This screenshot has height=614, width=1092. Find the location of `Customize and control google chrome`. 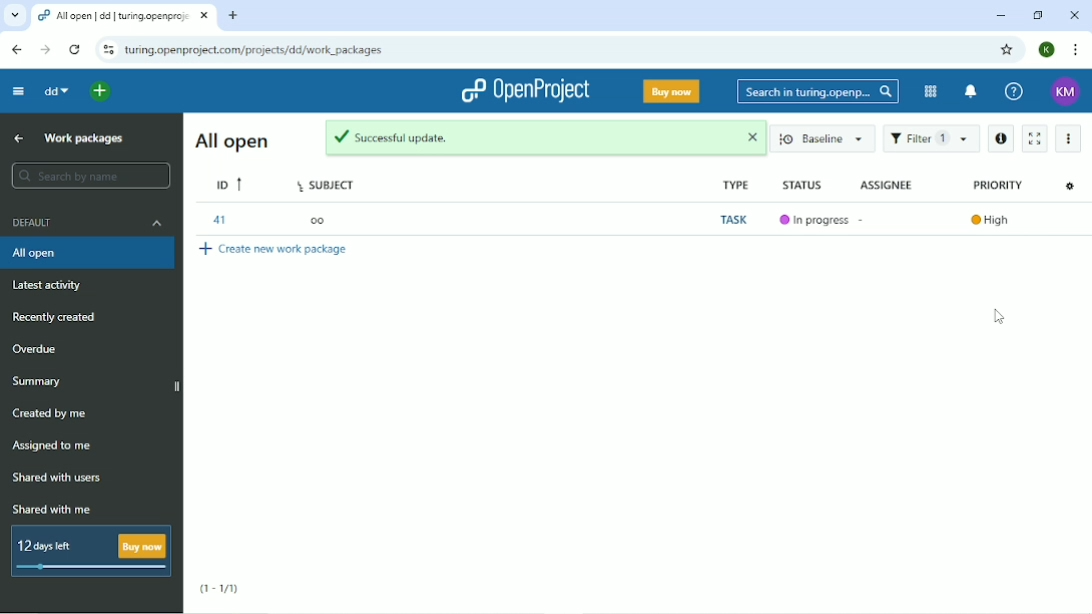

Customize and control google chrome is located at coordinates (1074, 48).